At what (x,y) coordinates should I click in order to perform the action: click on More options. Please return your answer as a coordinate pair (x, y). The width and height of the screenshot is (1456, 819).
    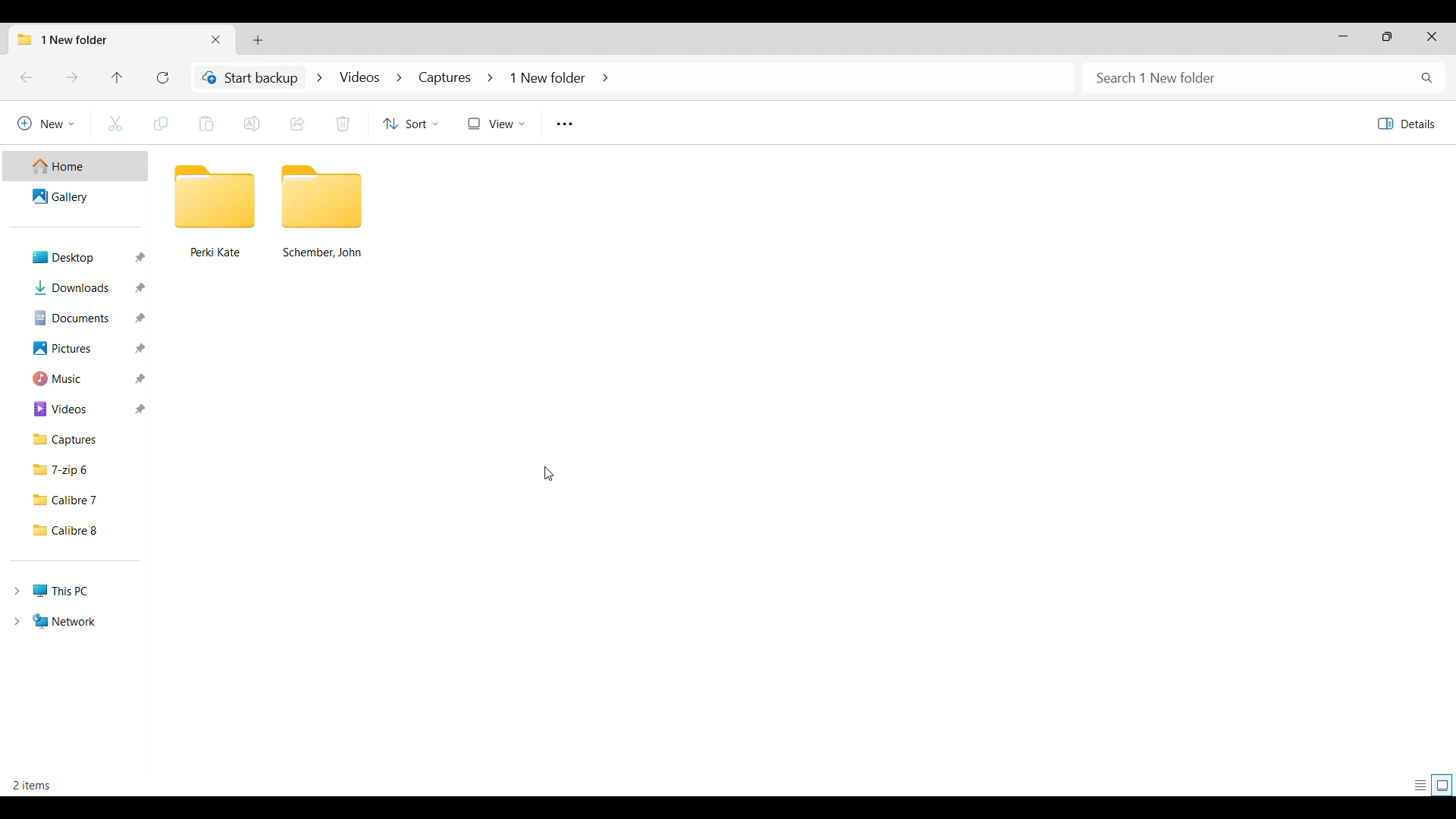
    Looking at the image, I should click on (563, 124).